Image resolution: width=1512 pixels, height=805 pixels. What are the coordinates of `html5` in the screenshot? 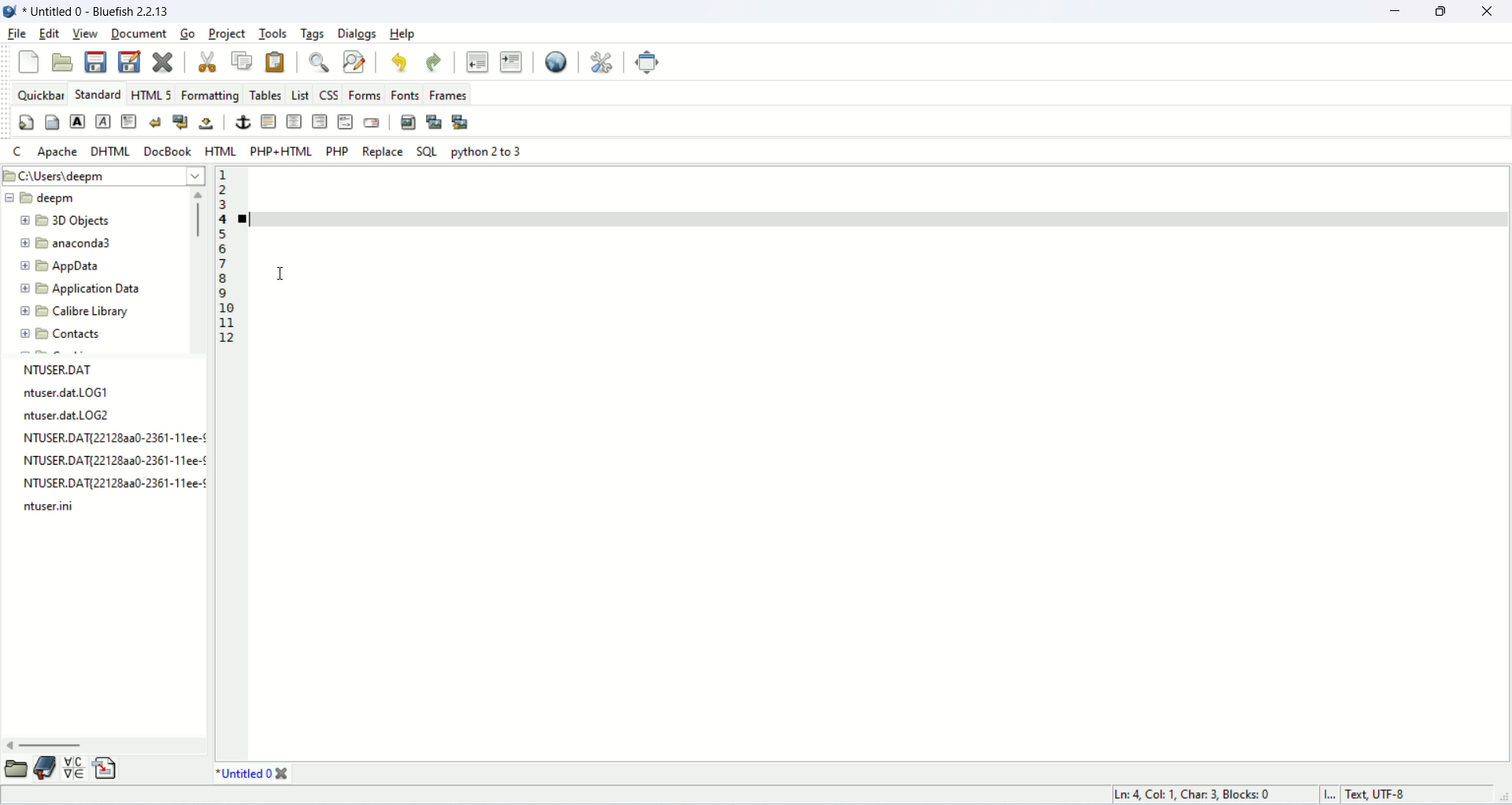 It's located at (151, 95).